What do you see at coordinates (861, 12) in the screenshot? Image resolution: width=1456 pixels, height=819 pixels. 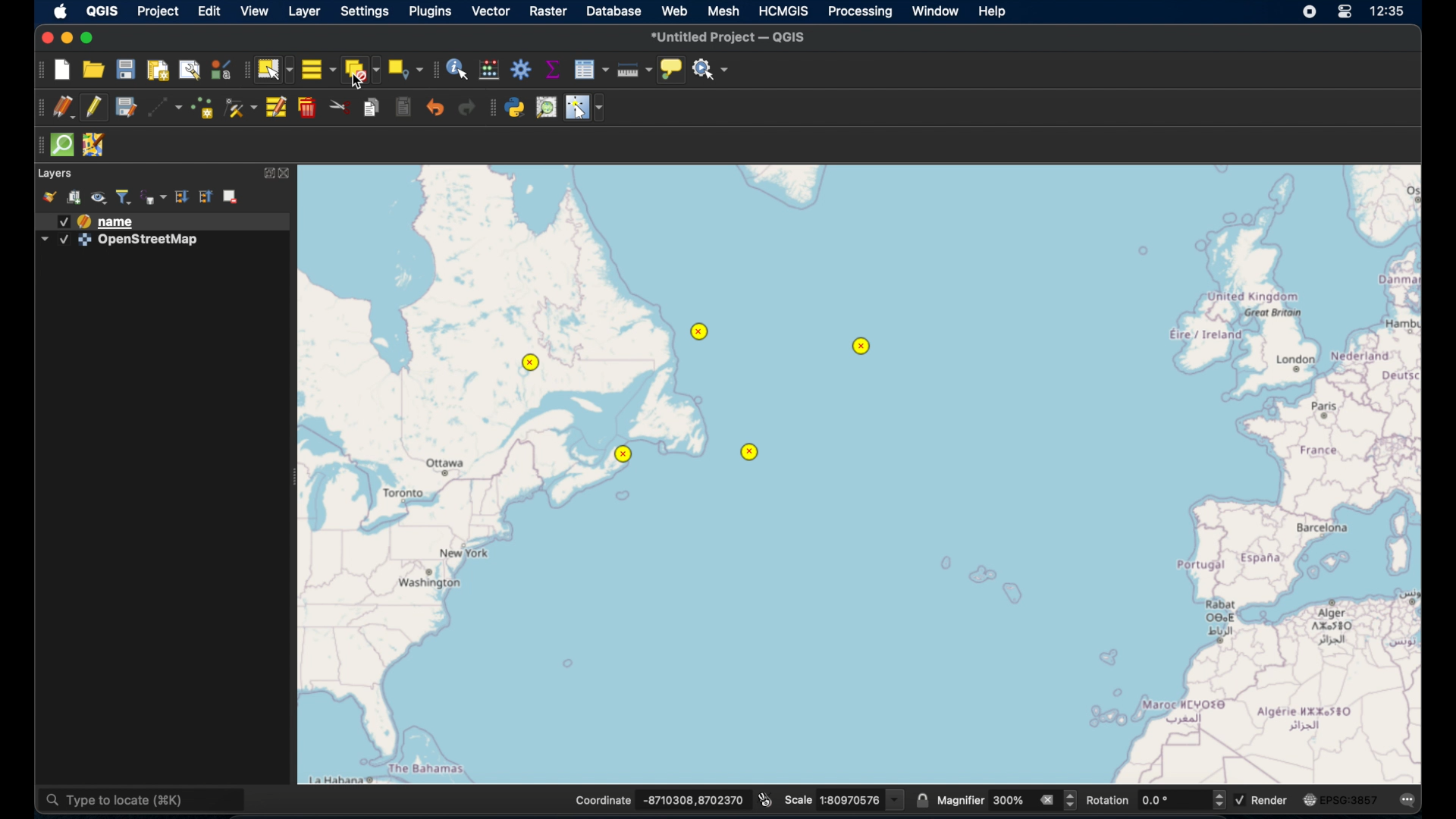 I see `processing` at bounding box center [861, 12].